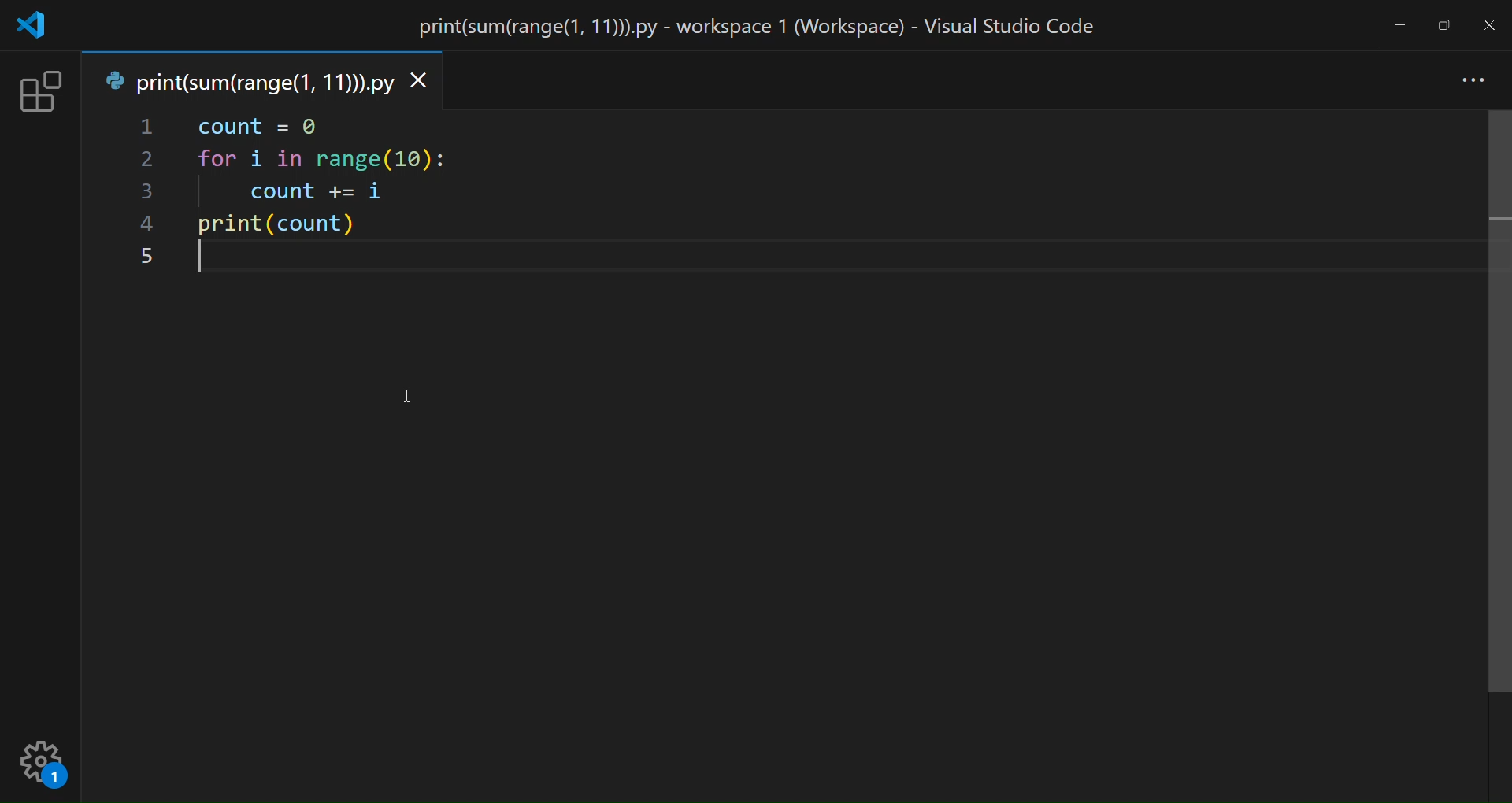  Describe the element at coordinates (368, 196) in the screenshot. I see `code block` at that location.